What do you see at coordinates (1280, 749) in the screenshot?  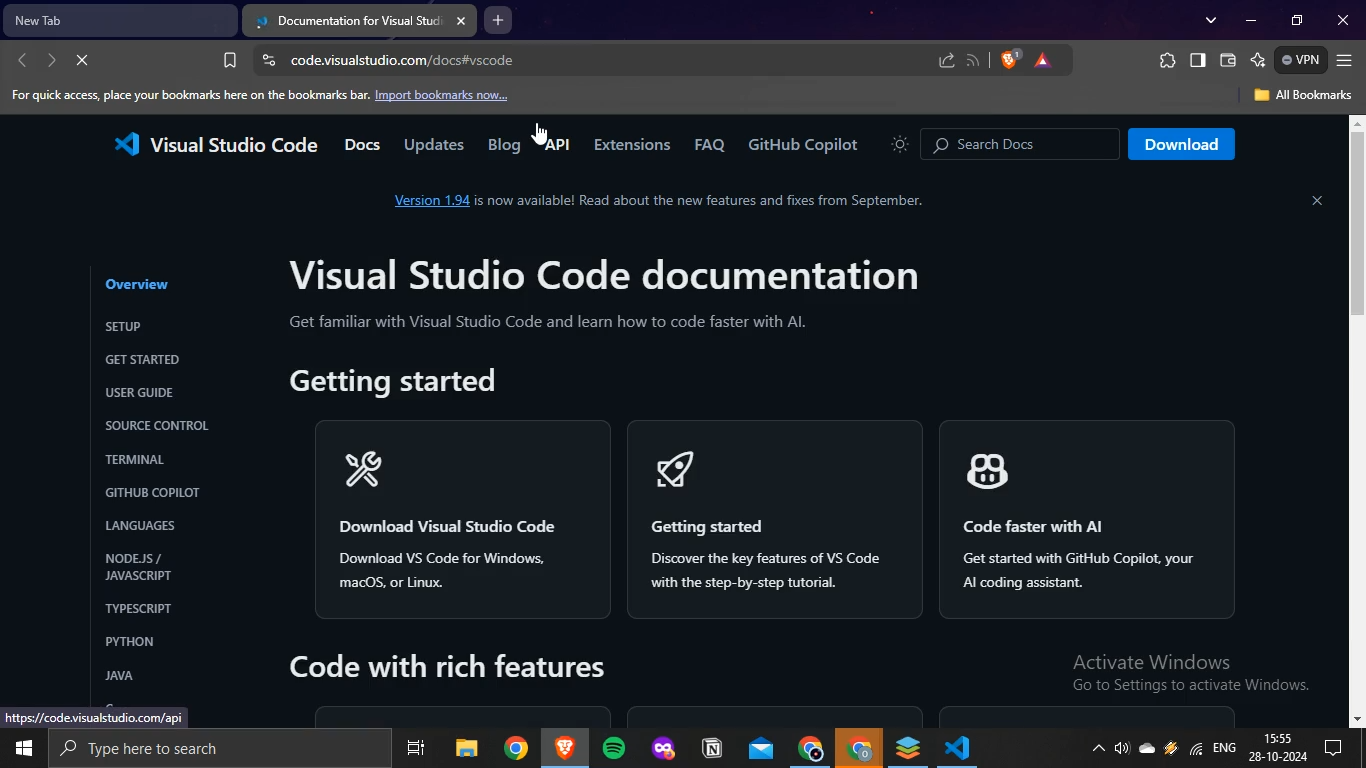 I see `date and time` at bounding box center [1280, 749].